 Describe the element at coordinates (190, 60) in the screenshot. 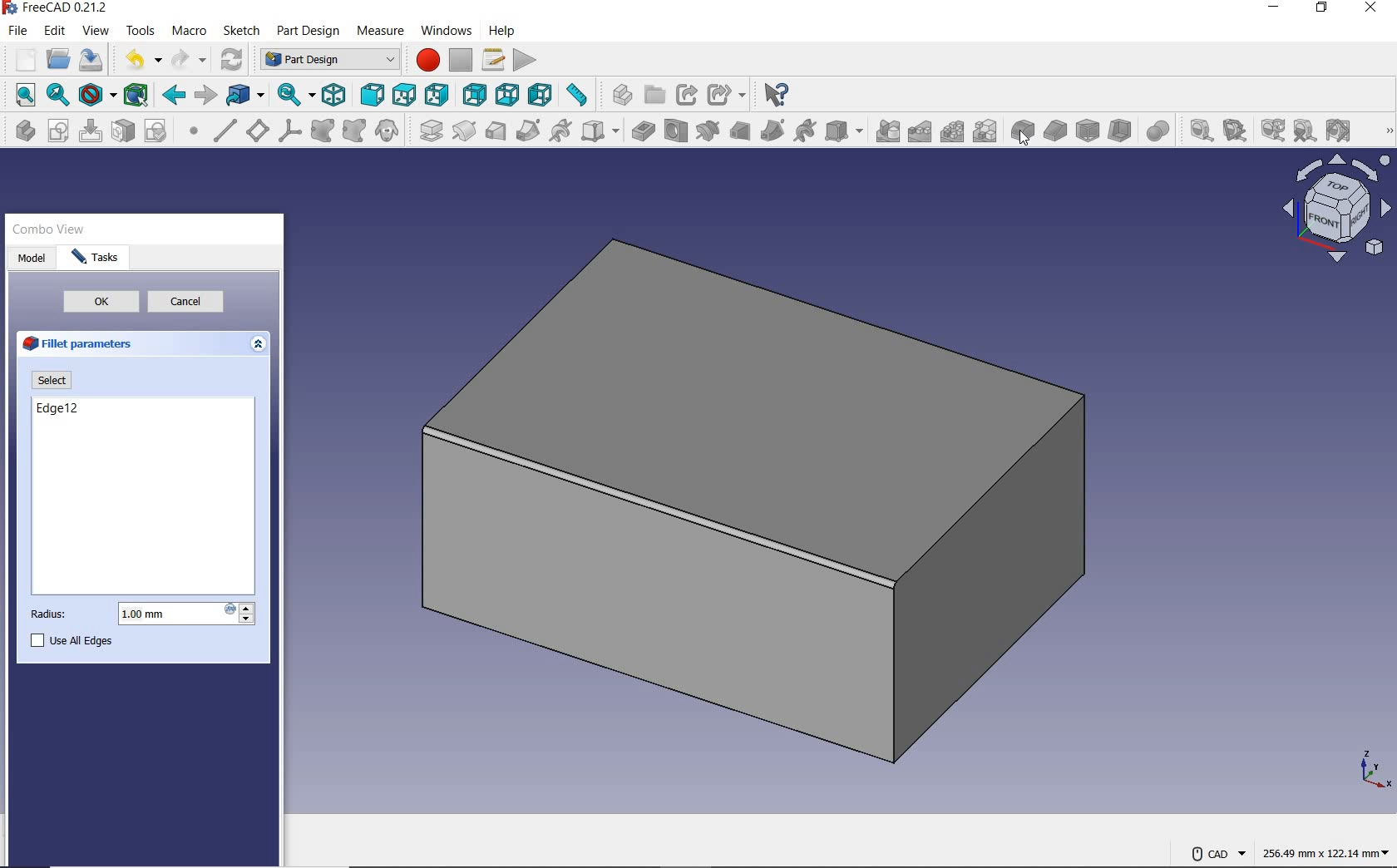

I see `redo` at that location.